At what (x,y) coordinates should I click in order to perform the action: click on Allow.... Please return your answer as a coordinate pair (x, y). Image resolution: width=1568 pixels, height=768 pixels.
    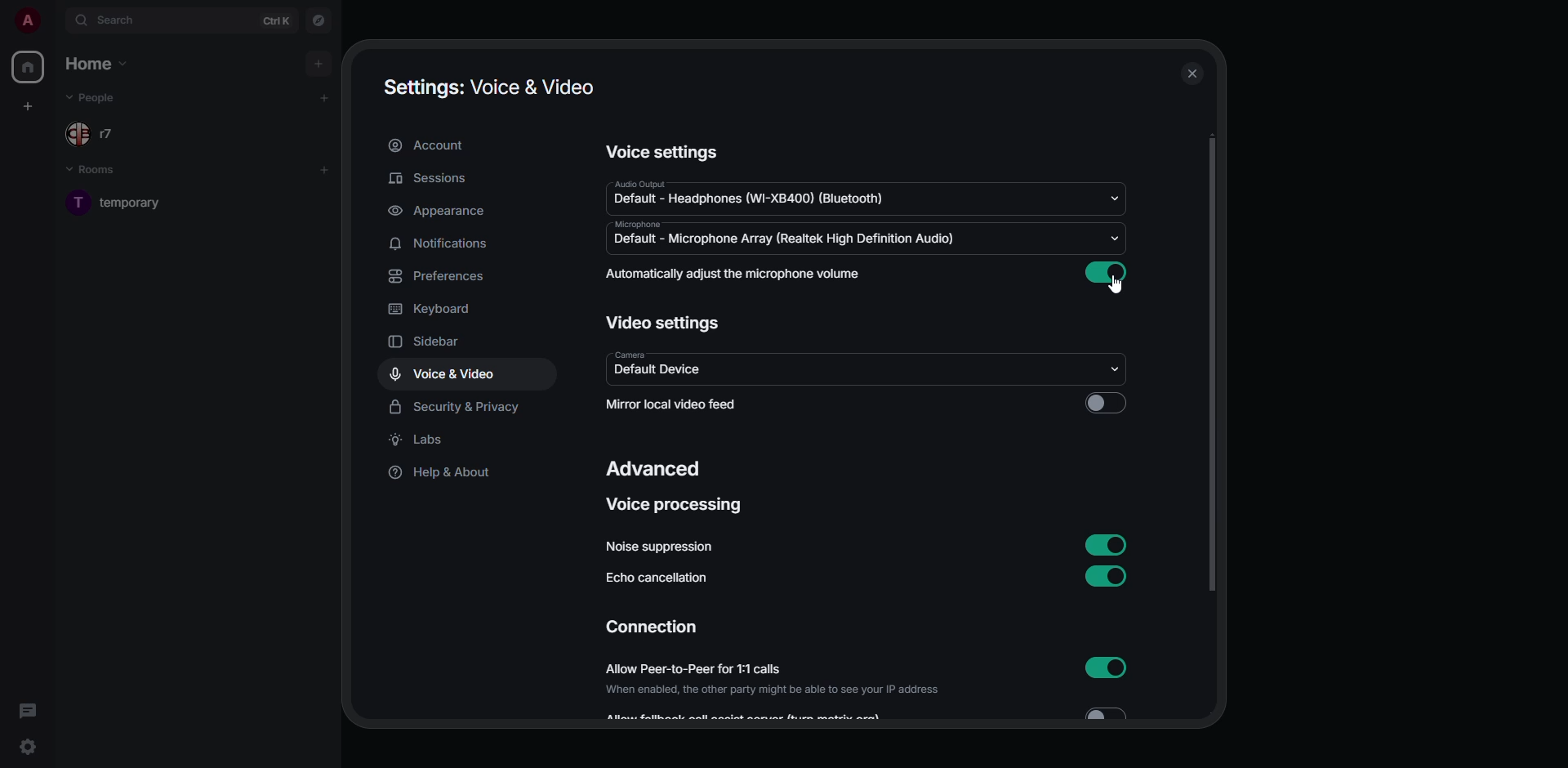
    Looking at the image, I should click on (872, 714).